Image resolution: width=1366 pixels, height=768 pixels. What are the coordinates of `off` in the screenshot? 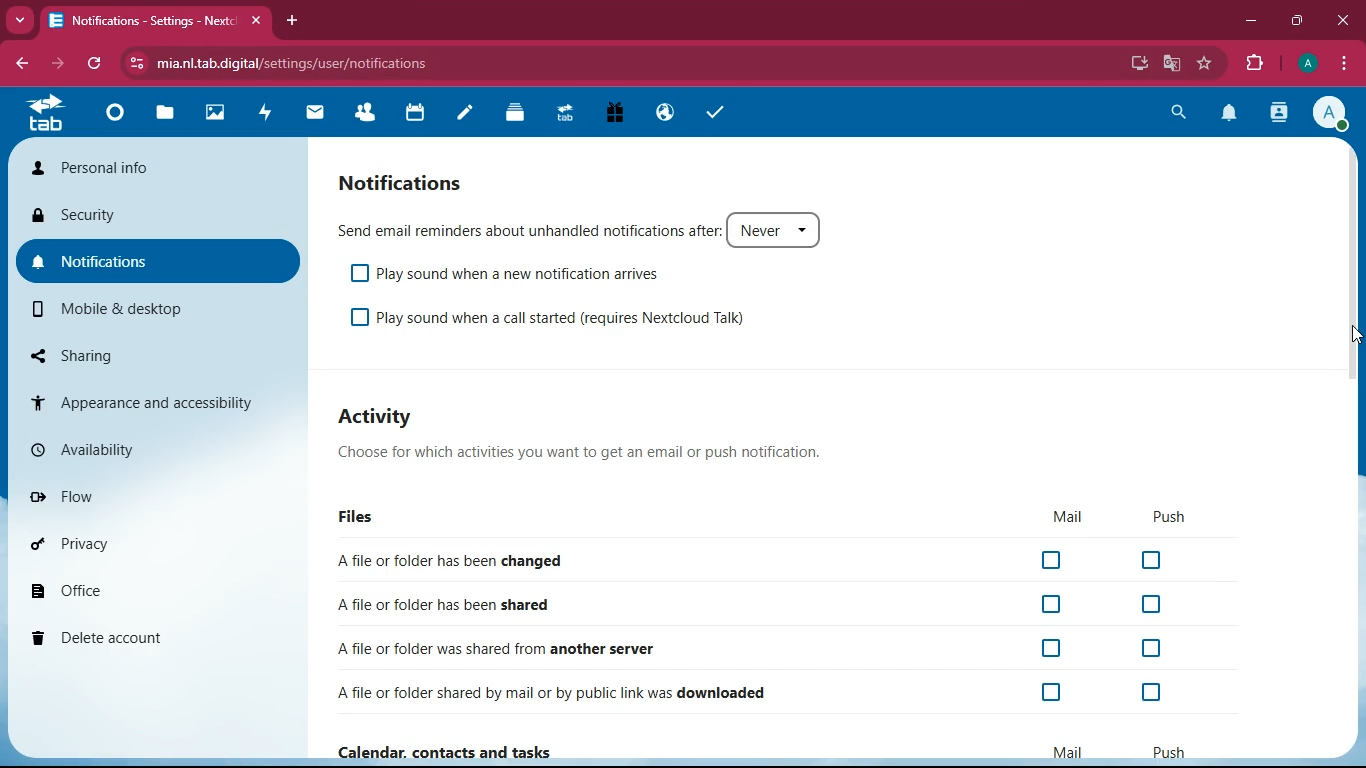 It's located at (1149, 647).